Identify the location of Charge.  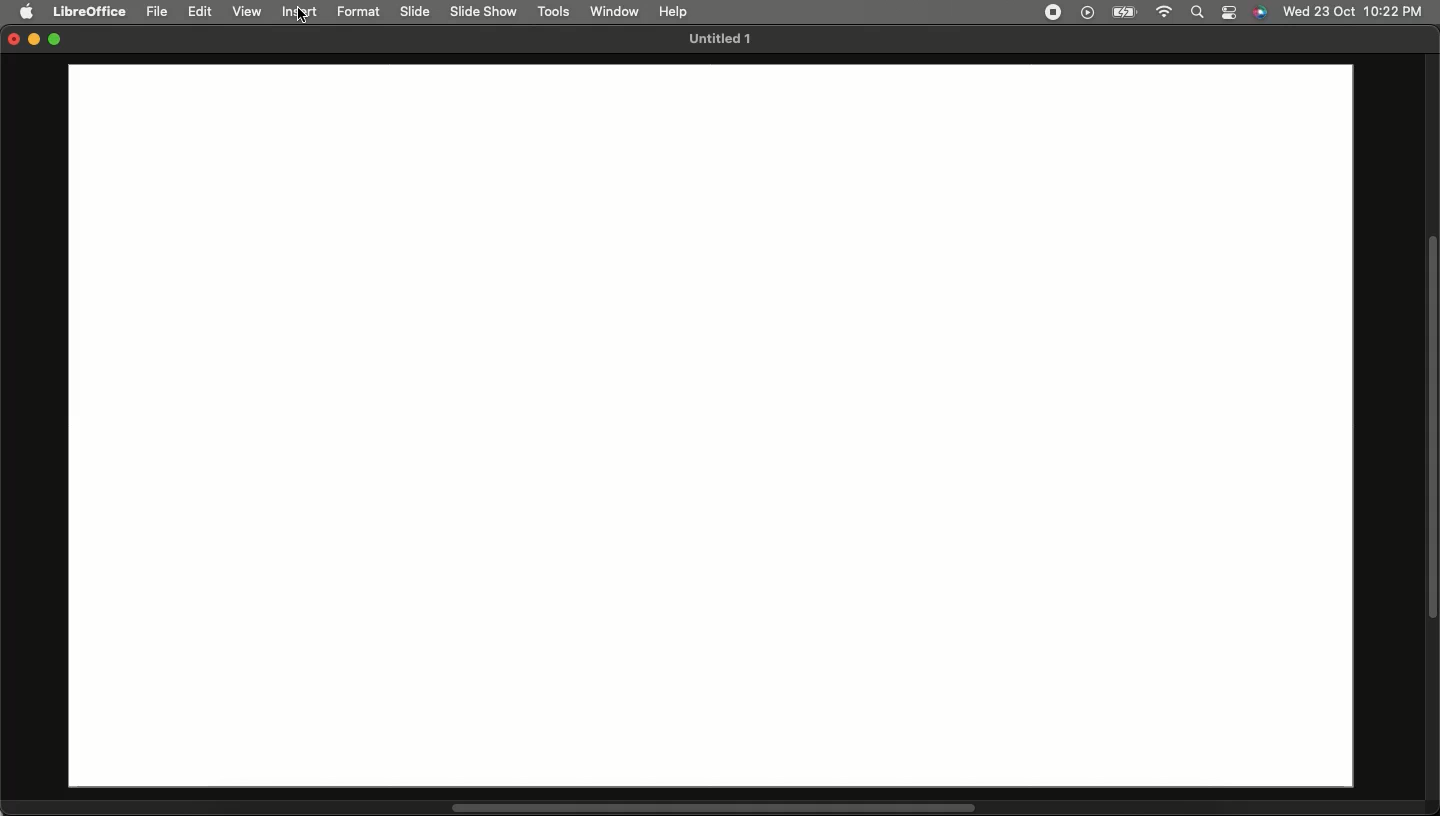
(1122, 12).